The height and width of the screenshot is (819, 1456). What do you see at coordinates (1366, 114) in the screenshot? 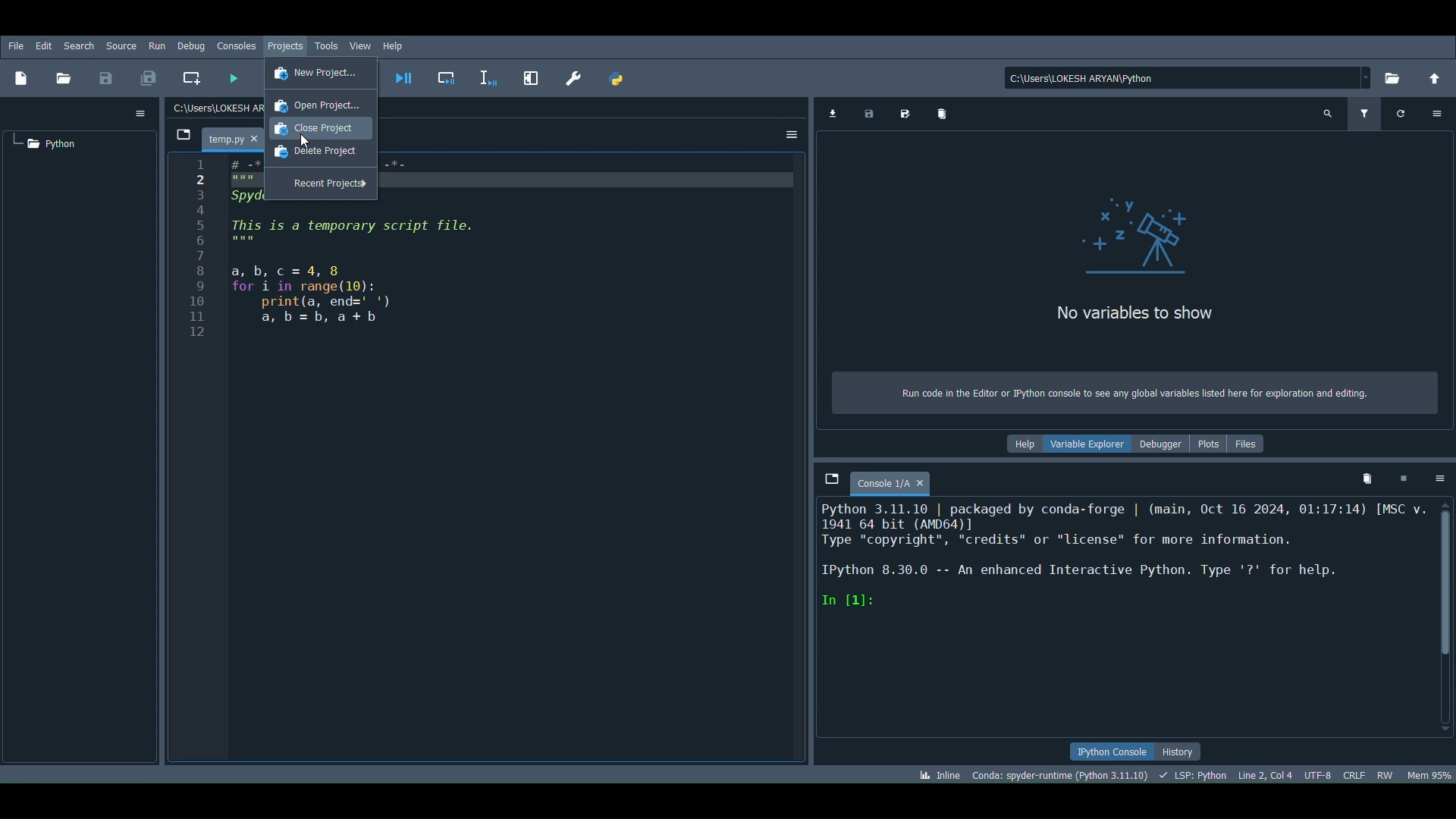
I see `Filter variables` at bounding box center [1366, 114].